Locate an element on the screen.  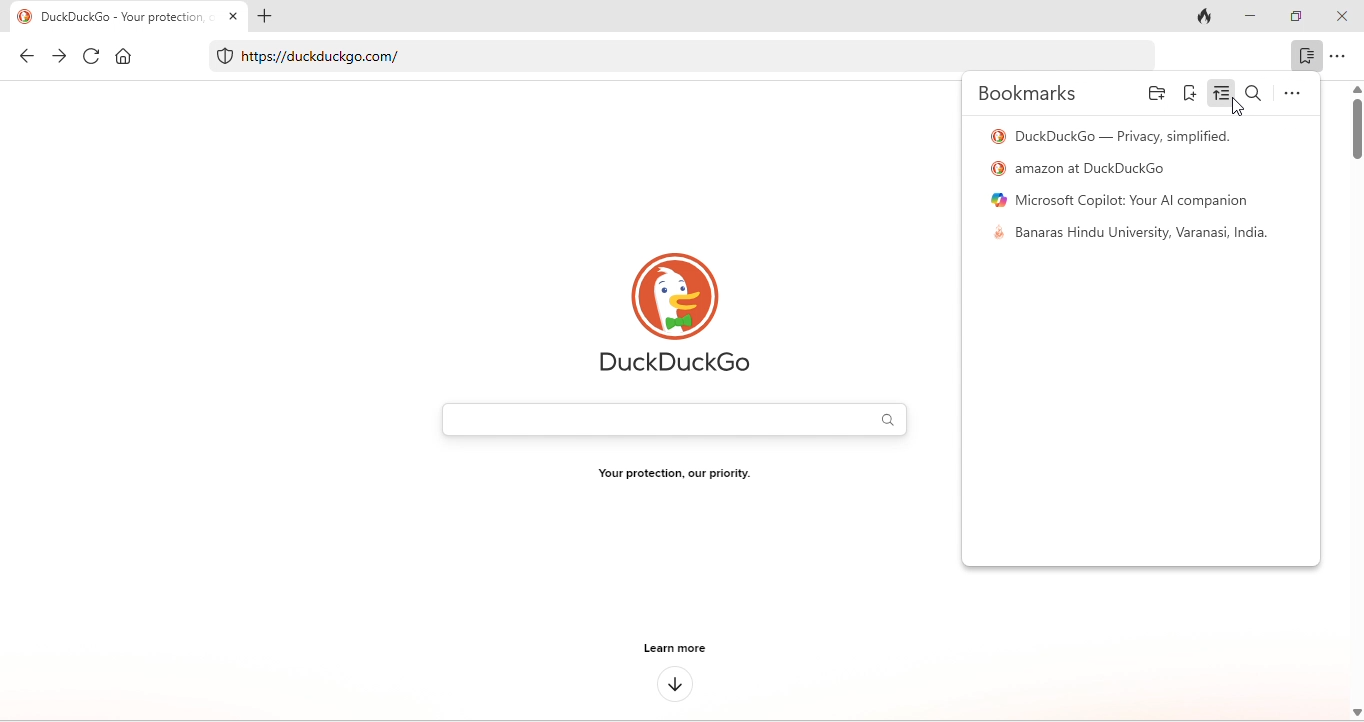
home is located at coordinates (127, 60).